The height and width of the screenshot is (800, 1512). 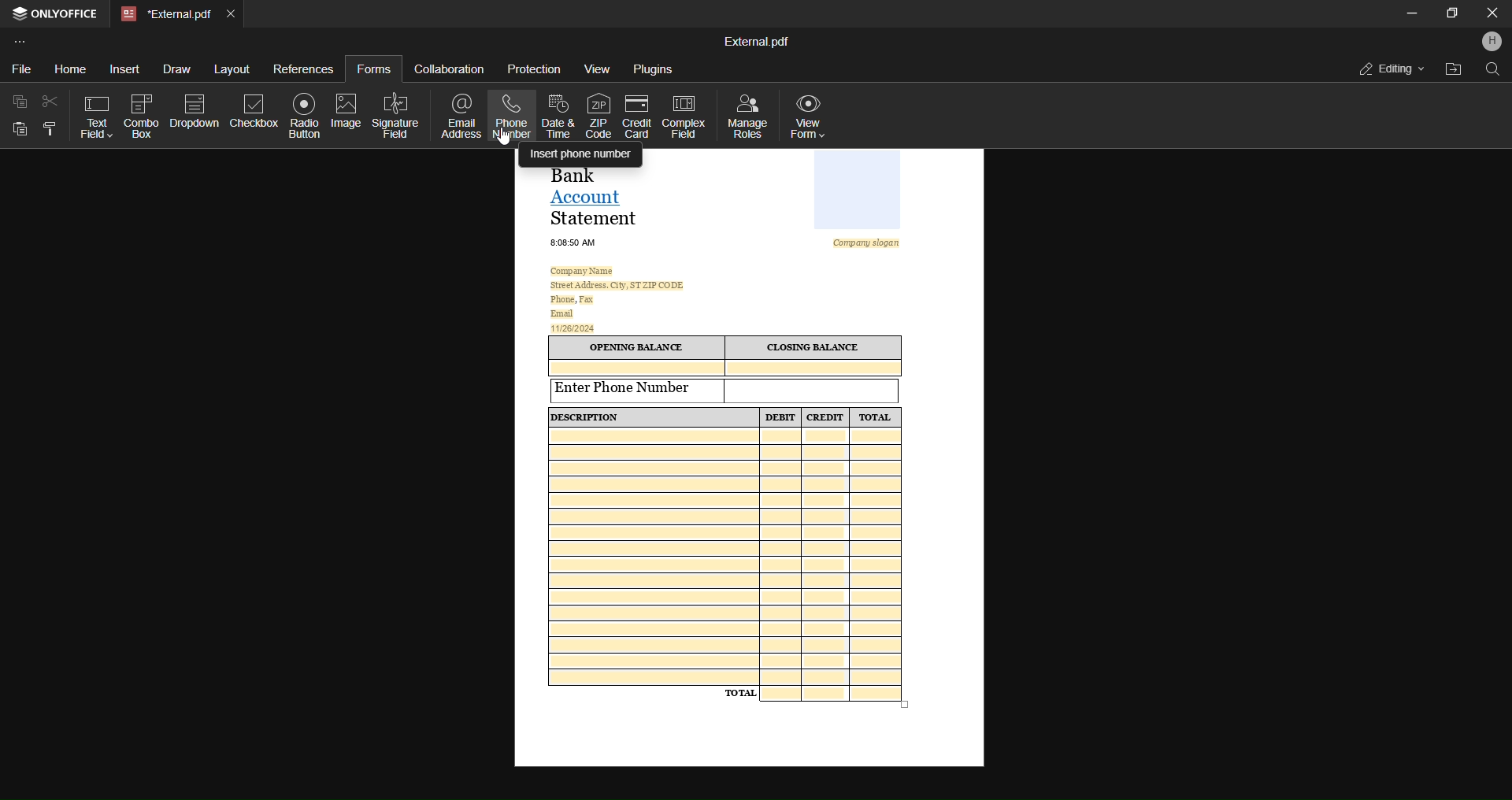 What do you see at coordinates (229, 14) in the screenshot?
I see `close tab` at bounding box center [229, 14].